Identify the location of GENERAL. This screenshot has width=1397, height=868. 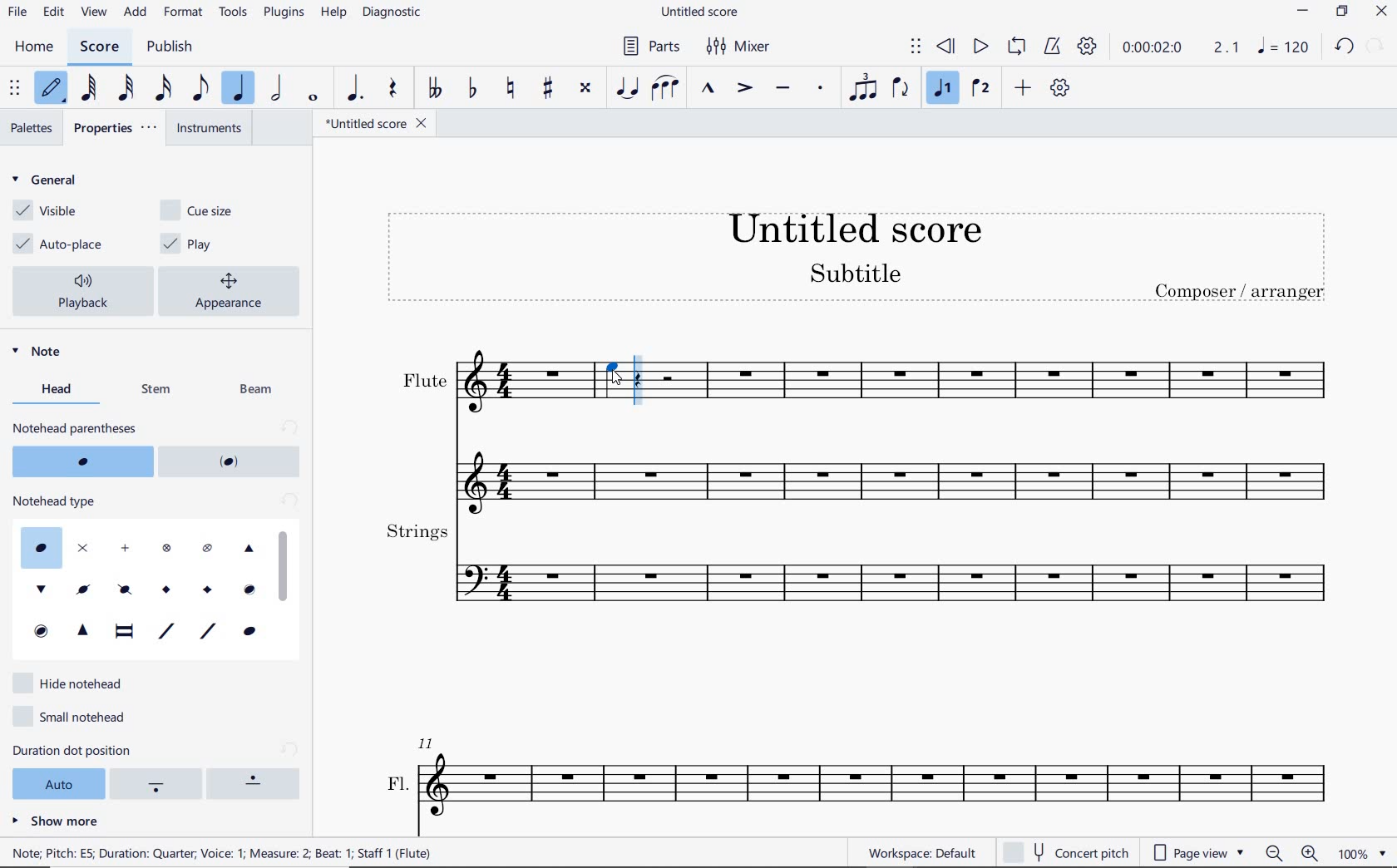
(49, 181).